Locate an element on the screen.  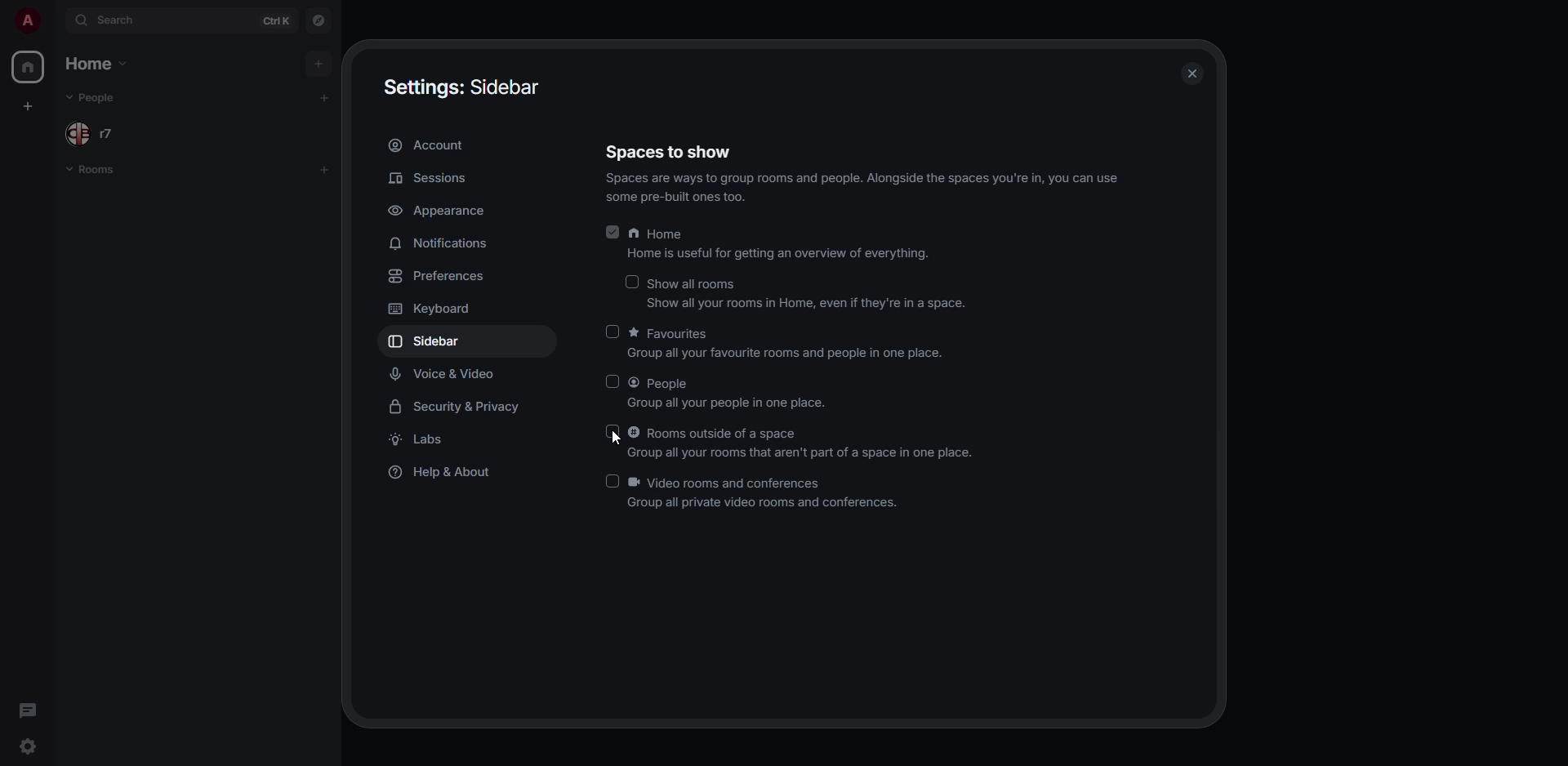
security & privacy is located at coordinates (462, 407).